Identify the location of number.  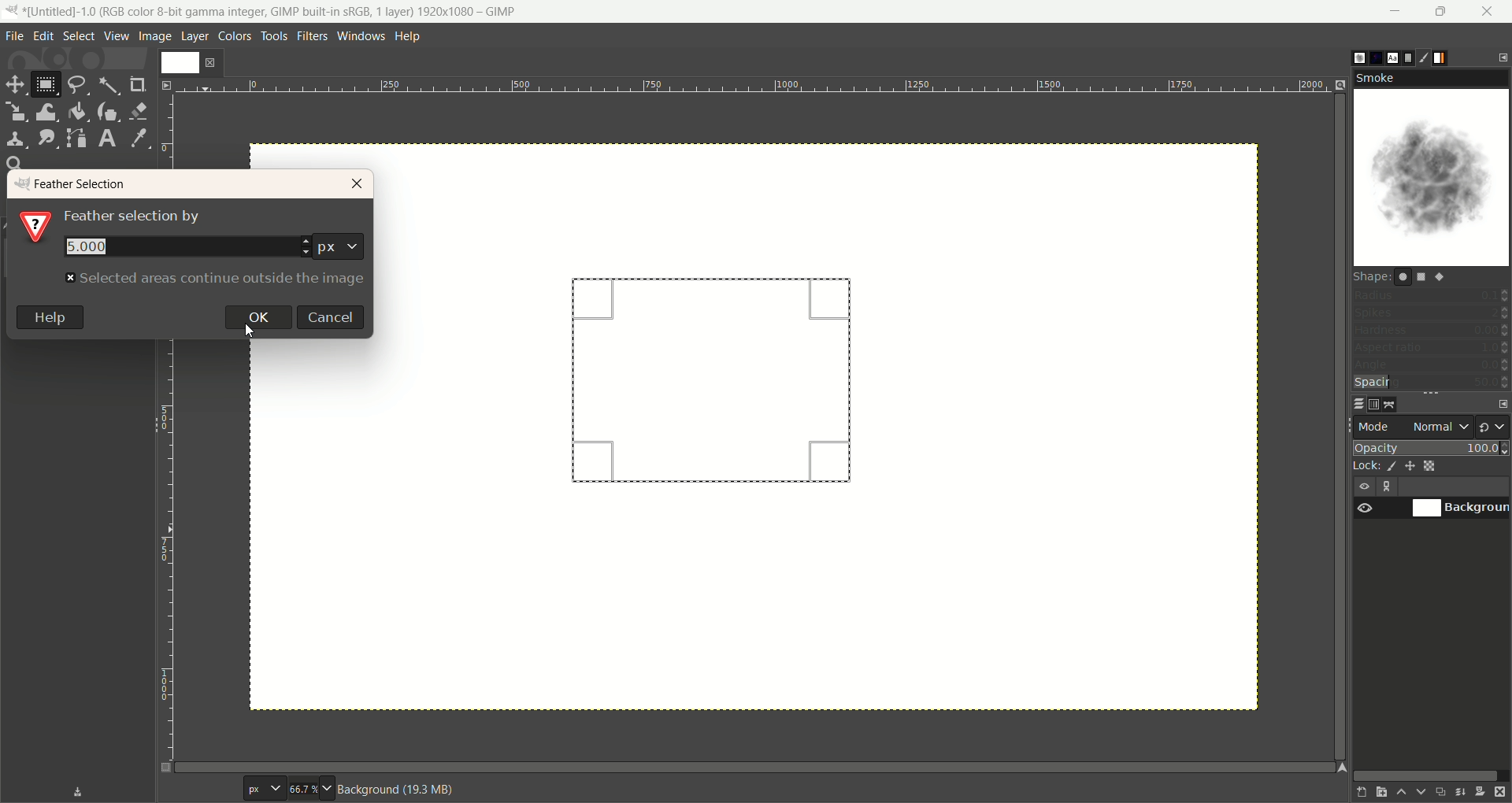
(186, 246).